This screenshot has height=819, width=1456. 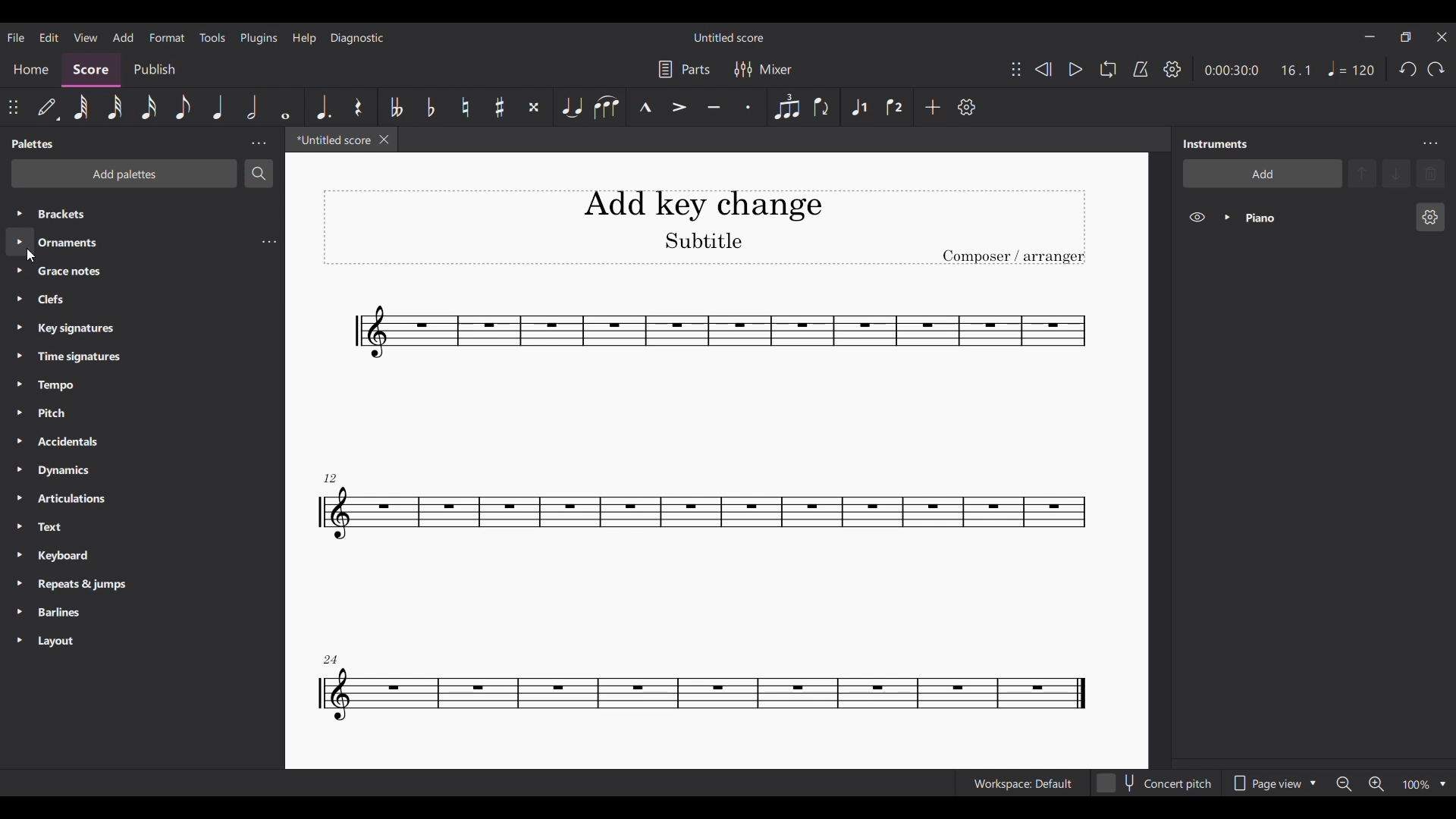 What do you see at coordinates (1343, 783) in the screenshot?
I see `Zoom out` at bounding box center [1343, 783].